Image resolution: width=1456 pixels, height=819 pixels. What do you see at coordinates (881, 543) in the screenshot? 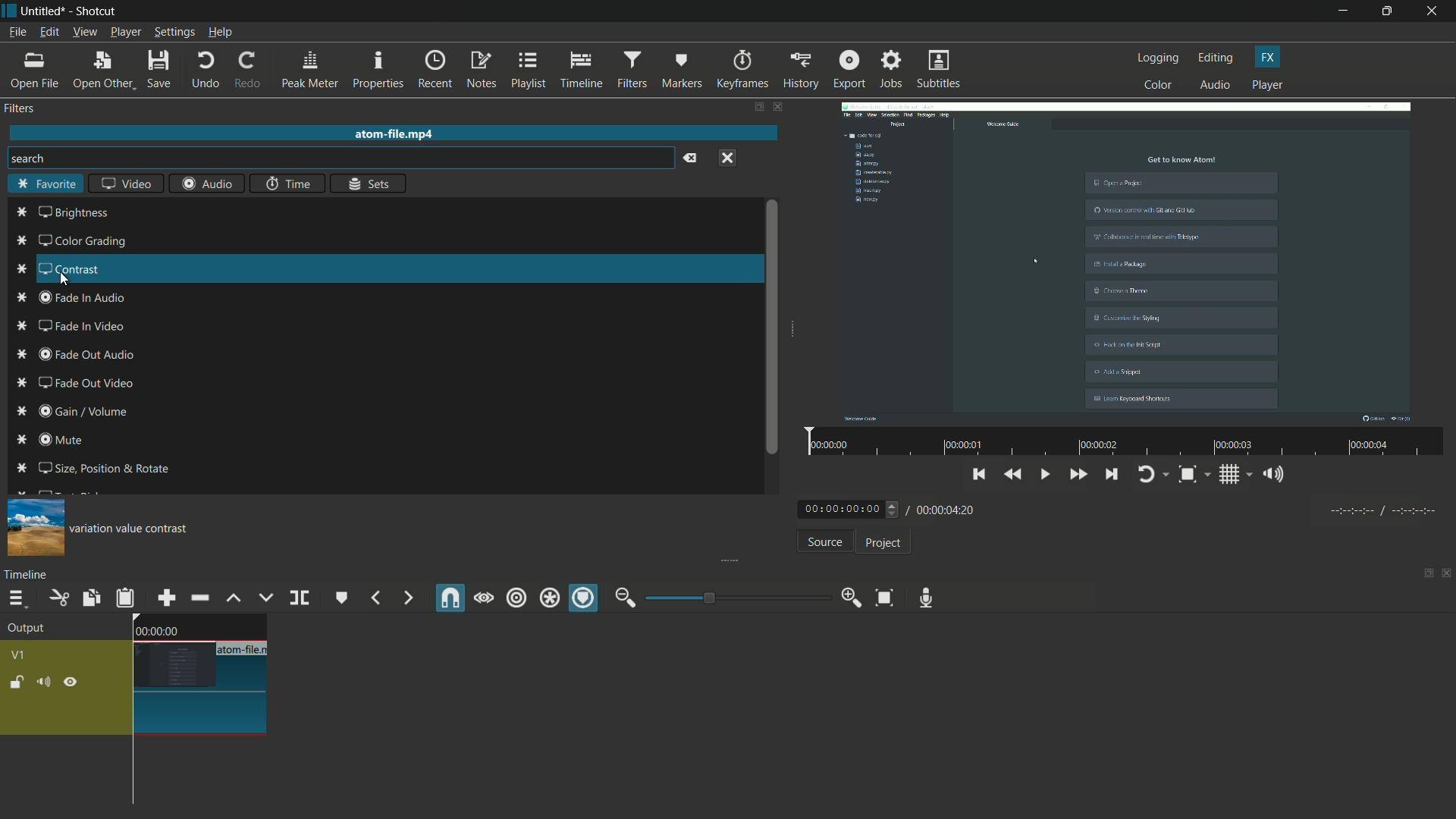
I see `project` at bounding box center [881, 543].